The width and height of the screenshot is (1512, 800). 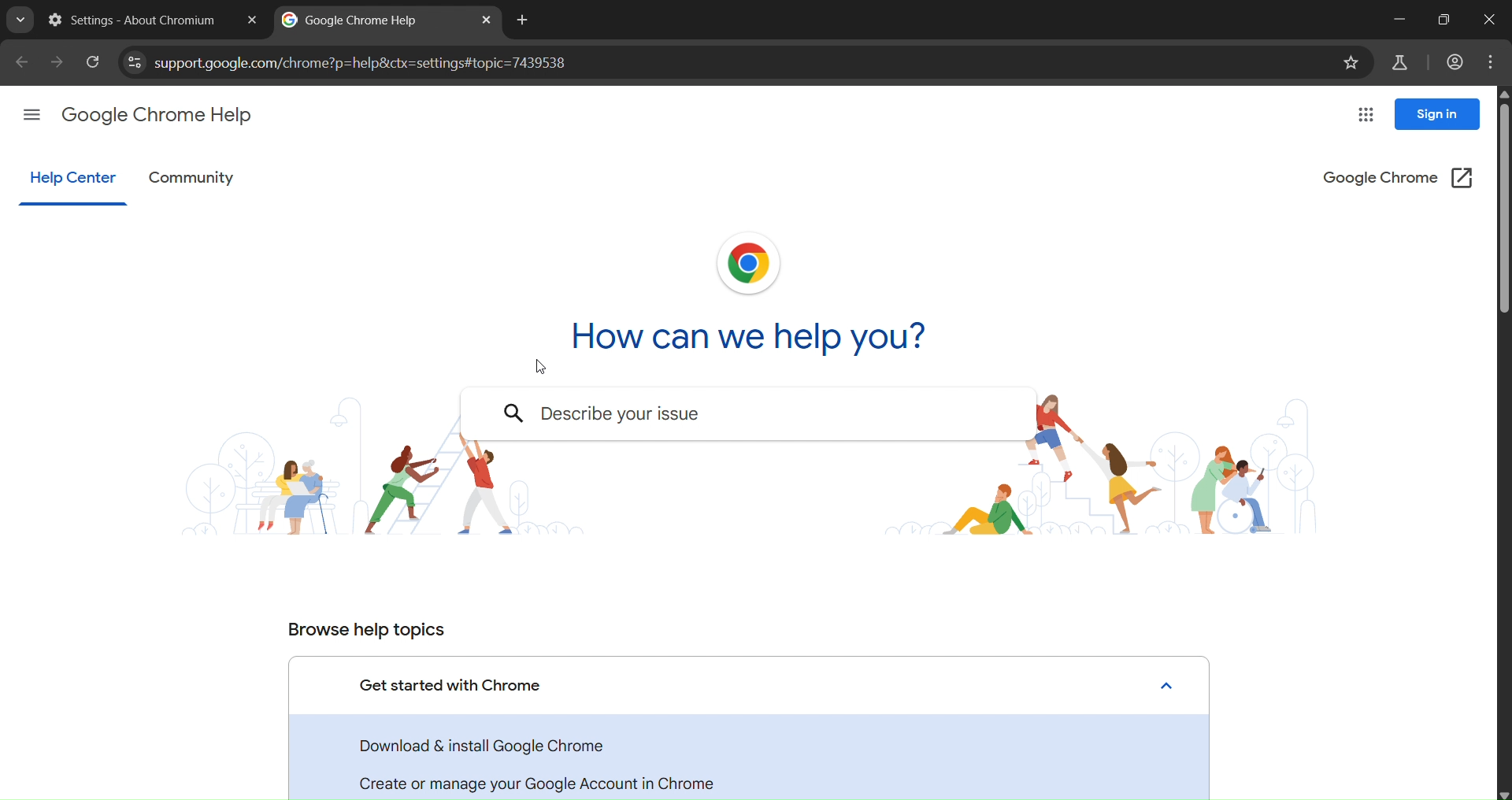 What do you see at coordinates (1487, 18) in the screenshot?
I see `Close` at bounding box center [1487, 18].